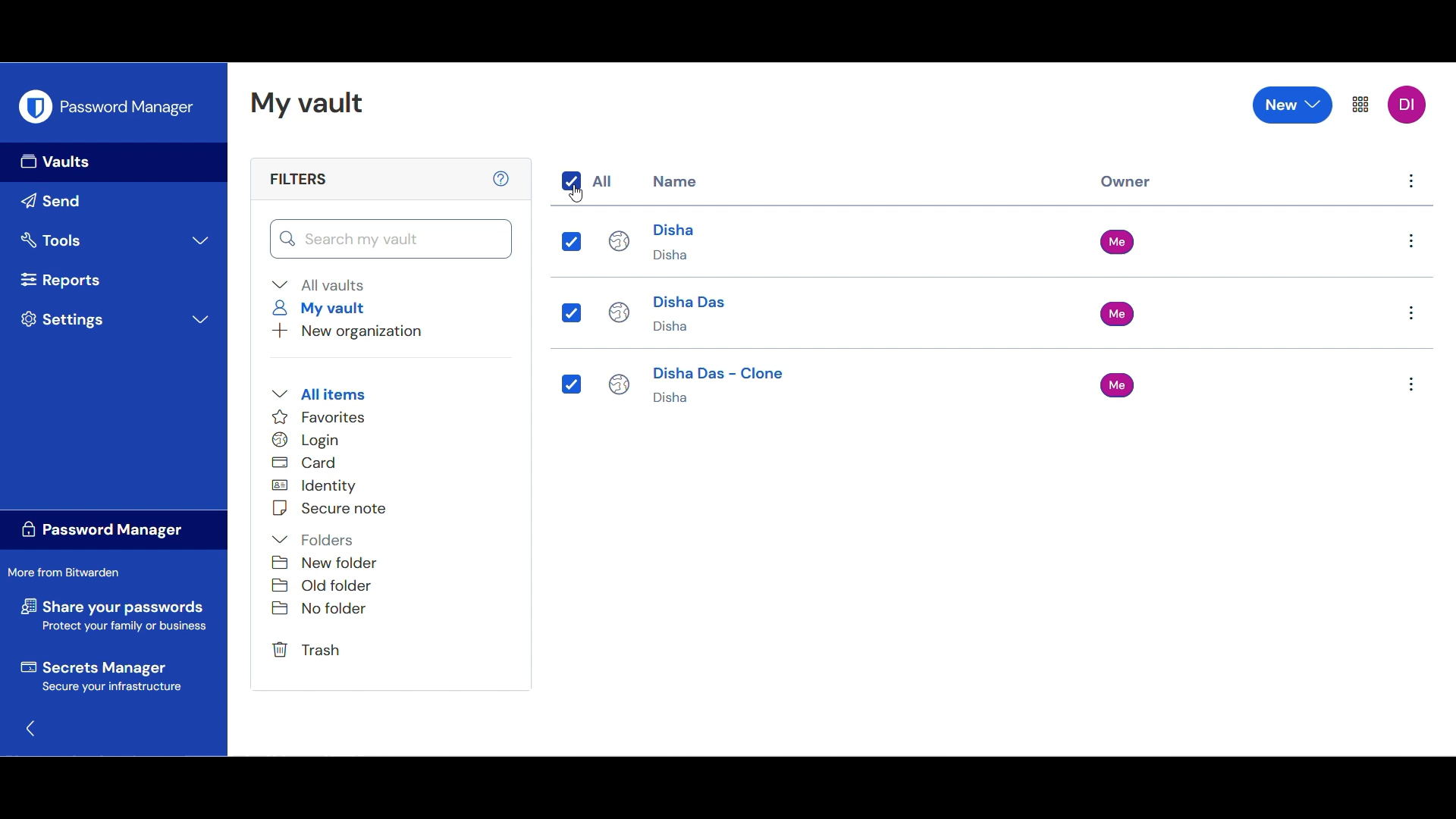 The width and height of the screenshot is (1456, 819). Describe the element at coordinates (1411, 314) in the screenshot. I see `Settings for each item respectively` at that location.